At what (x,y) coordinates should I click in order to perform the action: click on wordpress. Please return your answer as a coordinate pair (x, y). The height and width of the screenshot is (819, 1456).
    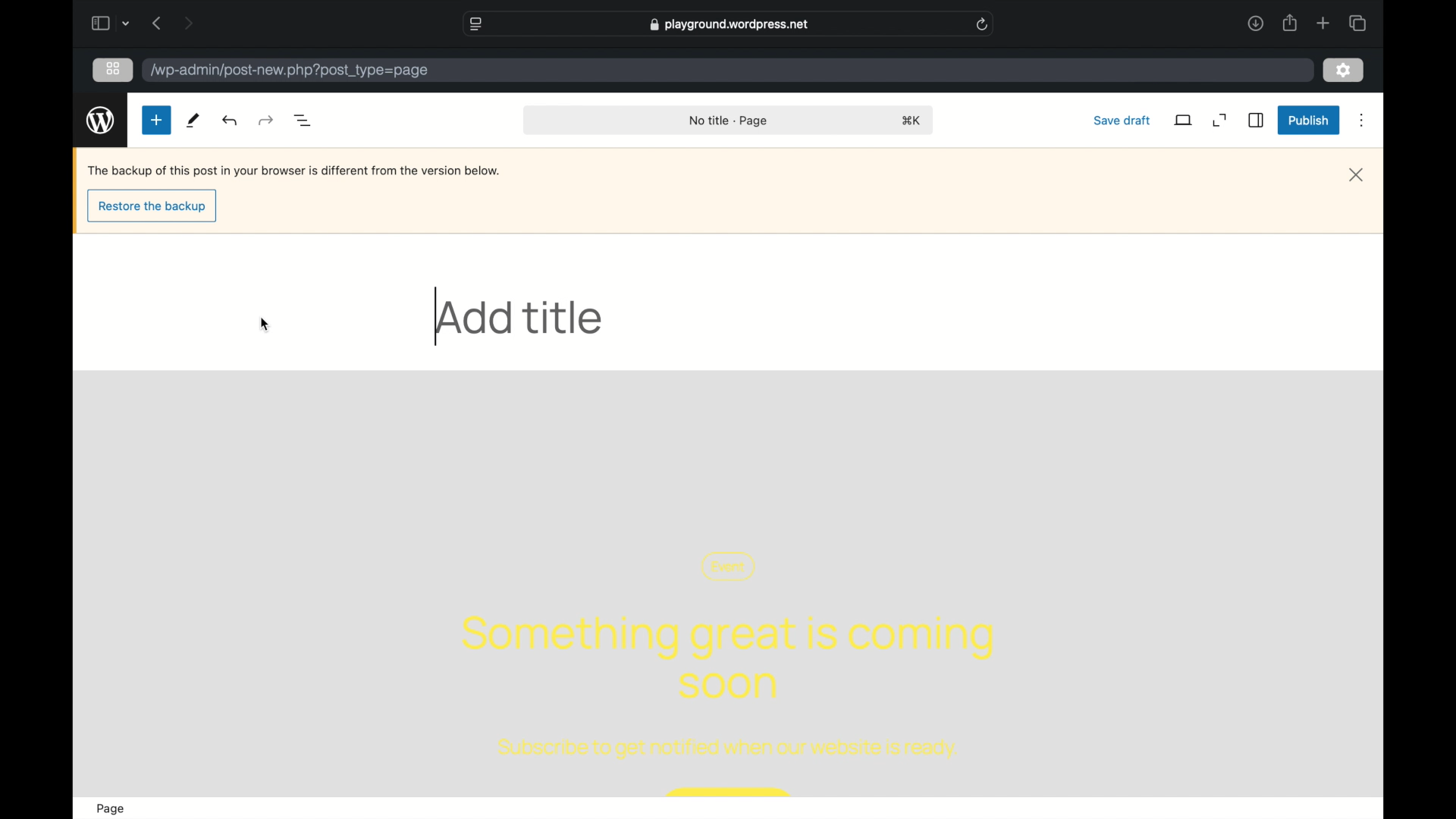
    Looking at the image, I should click on (101, 122).